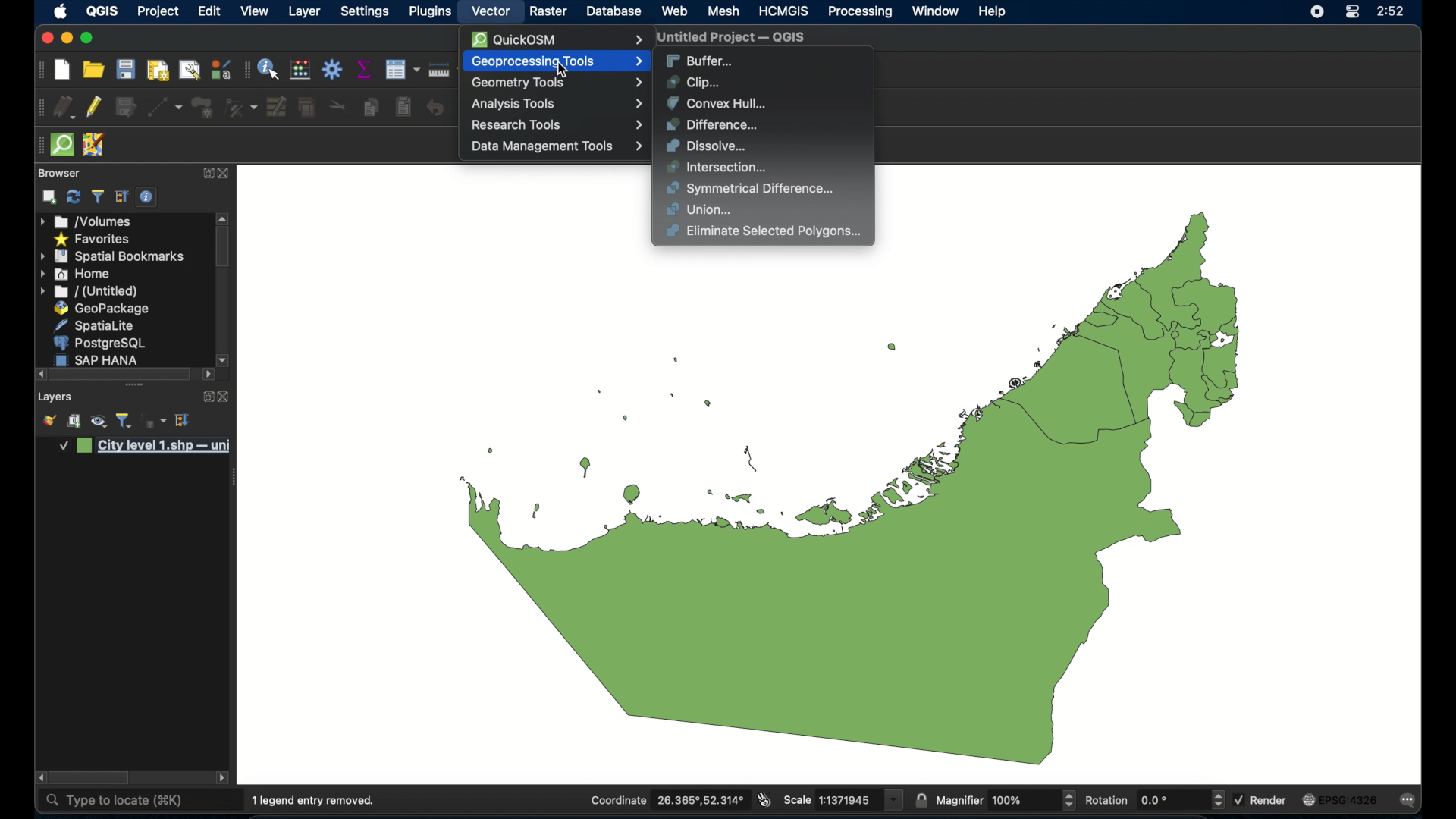 Image resolution: width=1456 pixels, height=819 pixels. Describe the element at coordinates (751, 189) in the screenshot. I see `symmetrical difference` at that location.